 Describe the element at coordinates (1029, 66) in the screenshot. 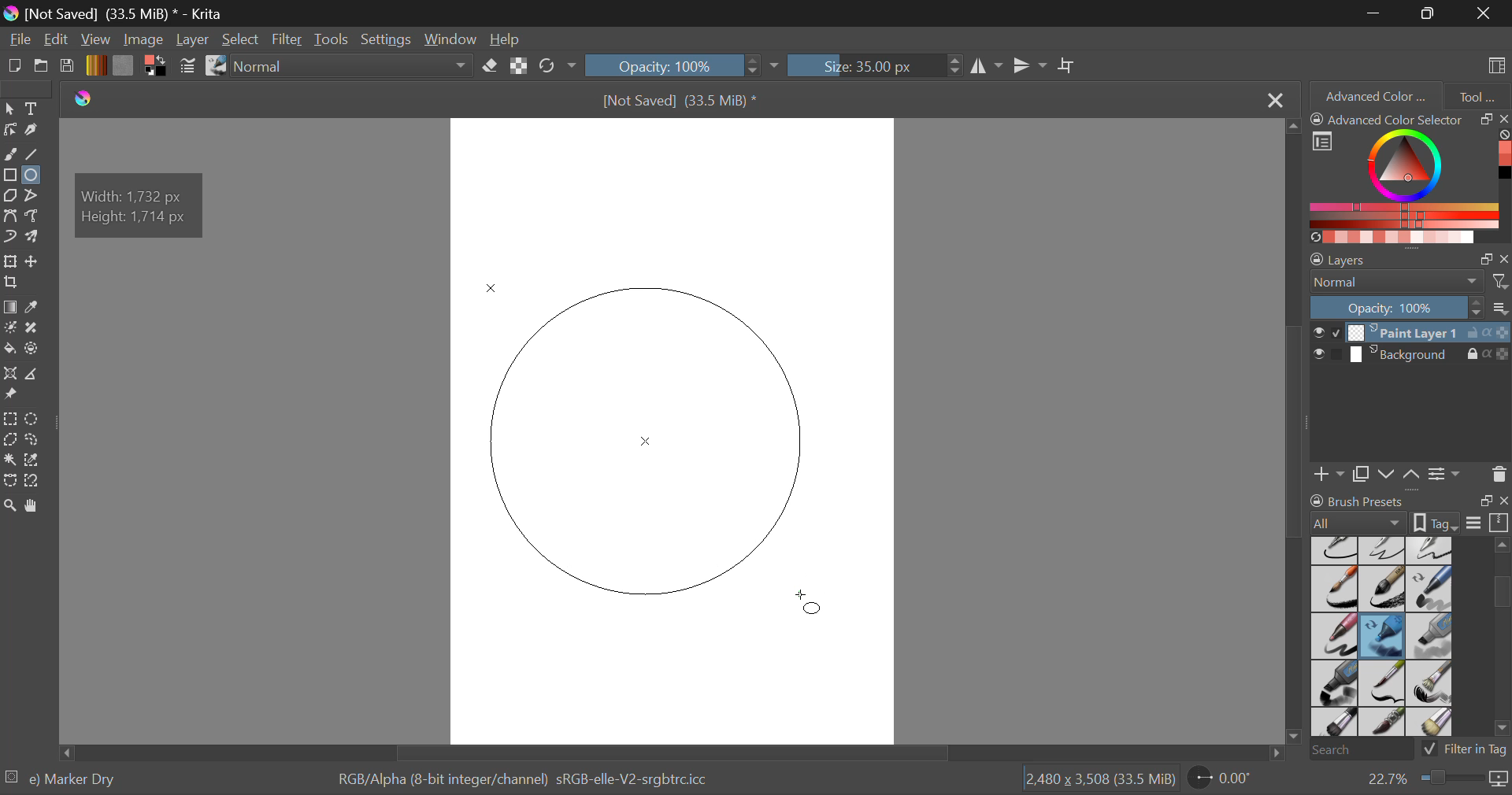

I see `Vertical Mirror Tool` at that location.